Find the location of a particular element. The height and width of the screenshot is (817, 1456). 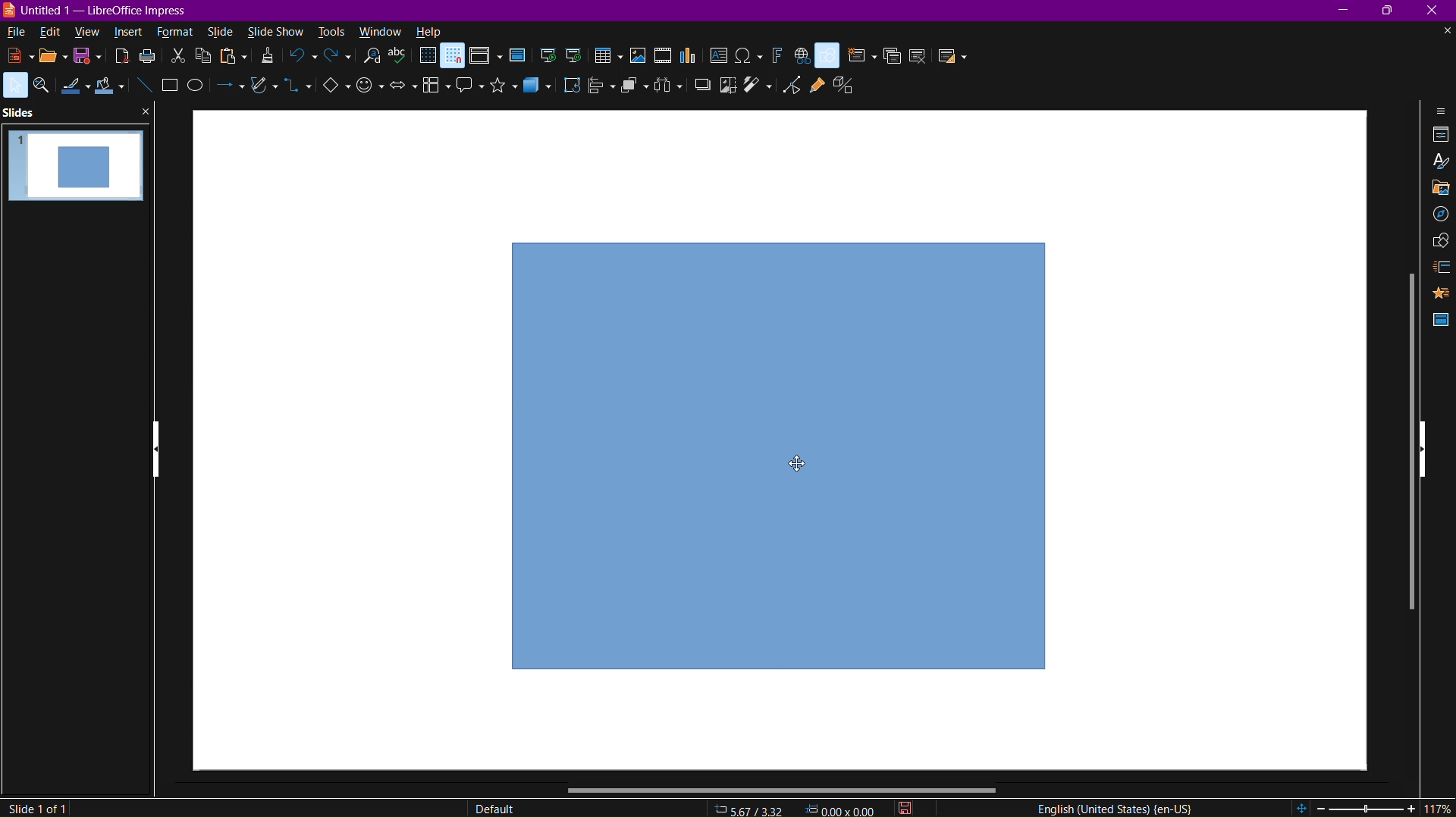

Minimize is located at coordinates (1345, 11).